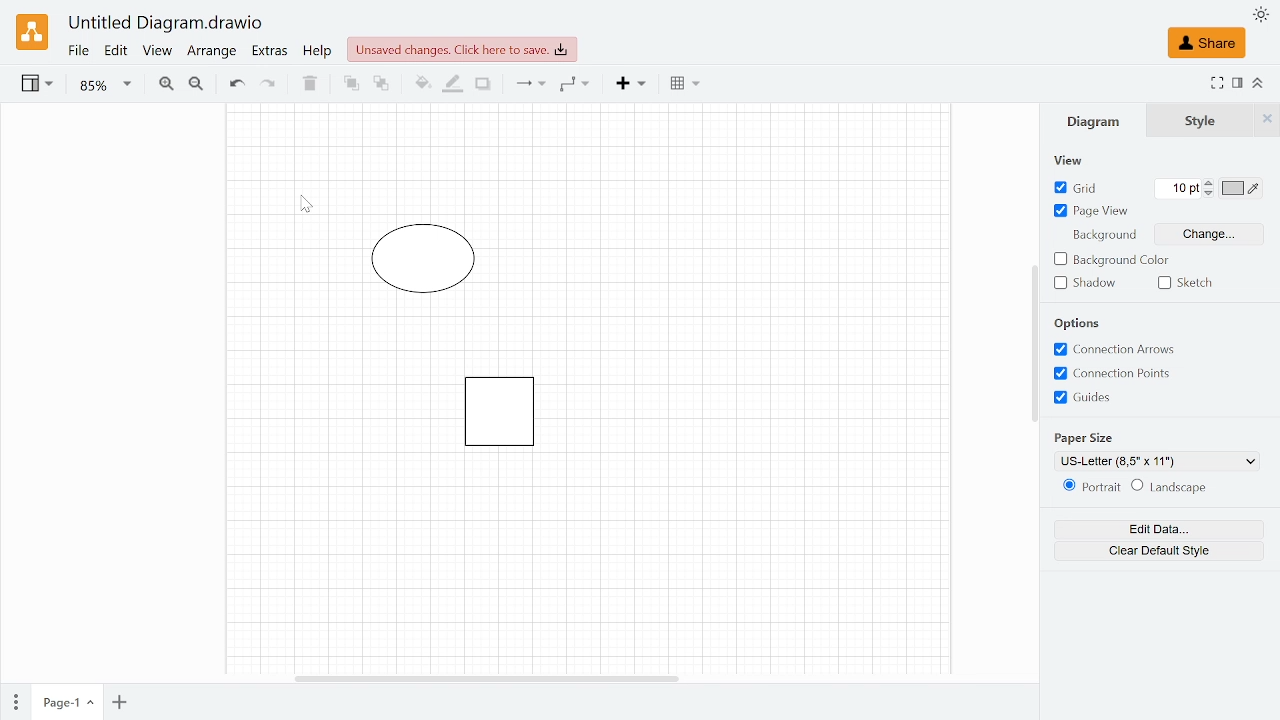 Image resolution: width=1280 pixels, height=720 pixels. I want to click on Change, so click(1210, 233).